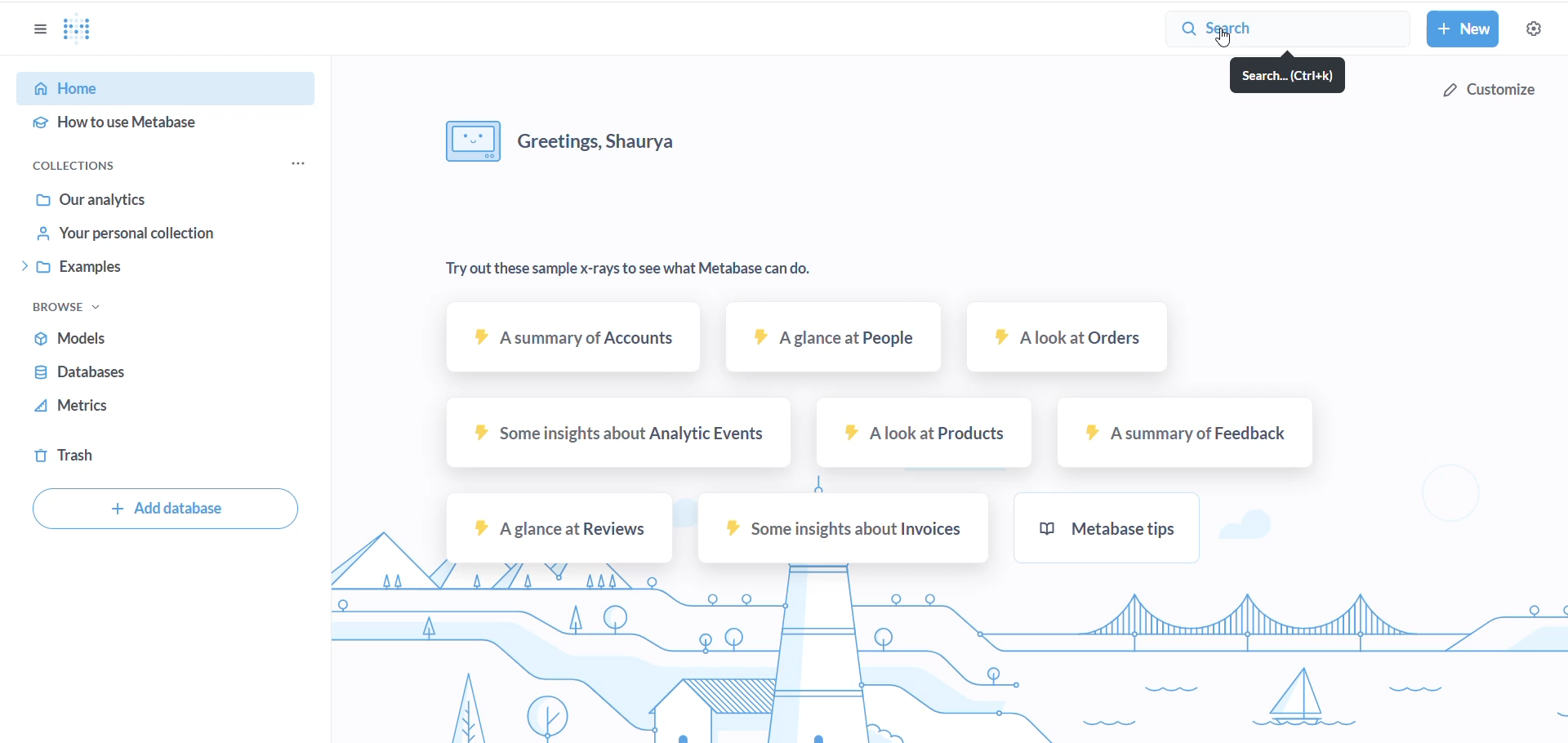 The height and width of the screenshot is (743, 1568). Describe the element at coordinates (78, 309) in the screenshot. I see `browse` at that location.